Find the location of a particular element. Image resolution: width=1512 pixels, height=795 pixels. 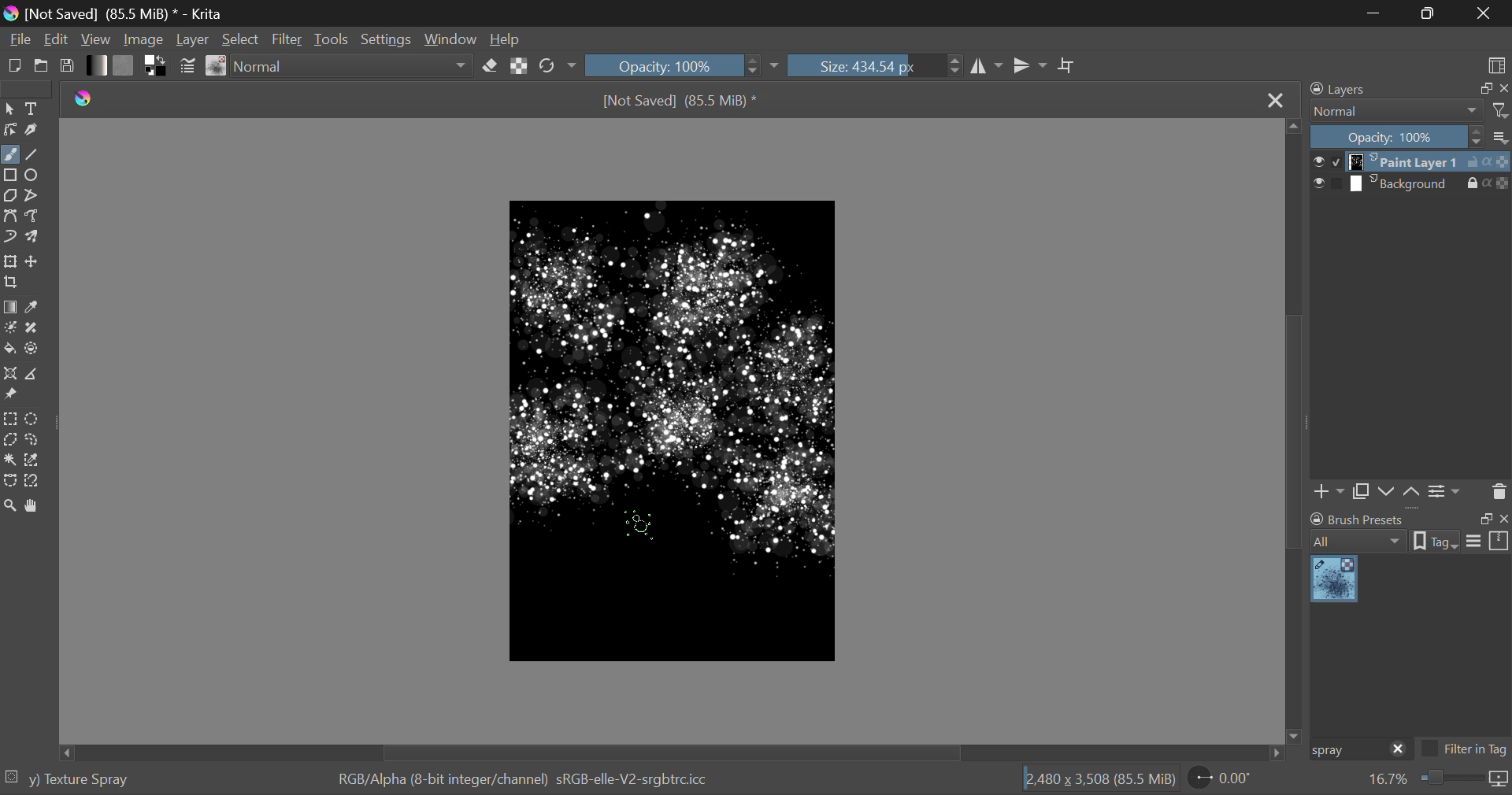

Add Layer is located at coordinates (1329, 494).